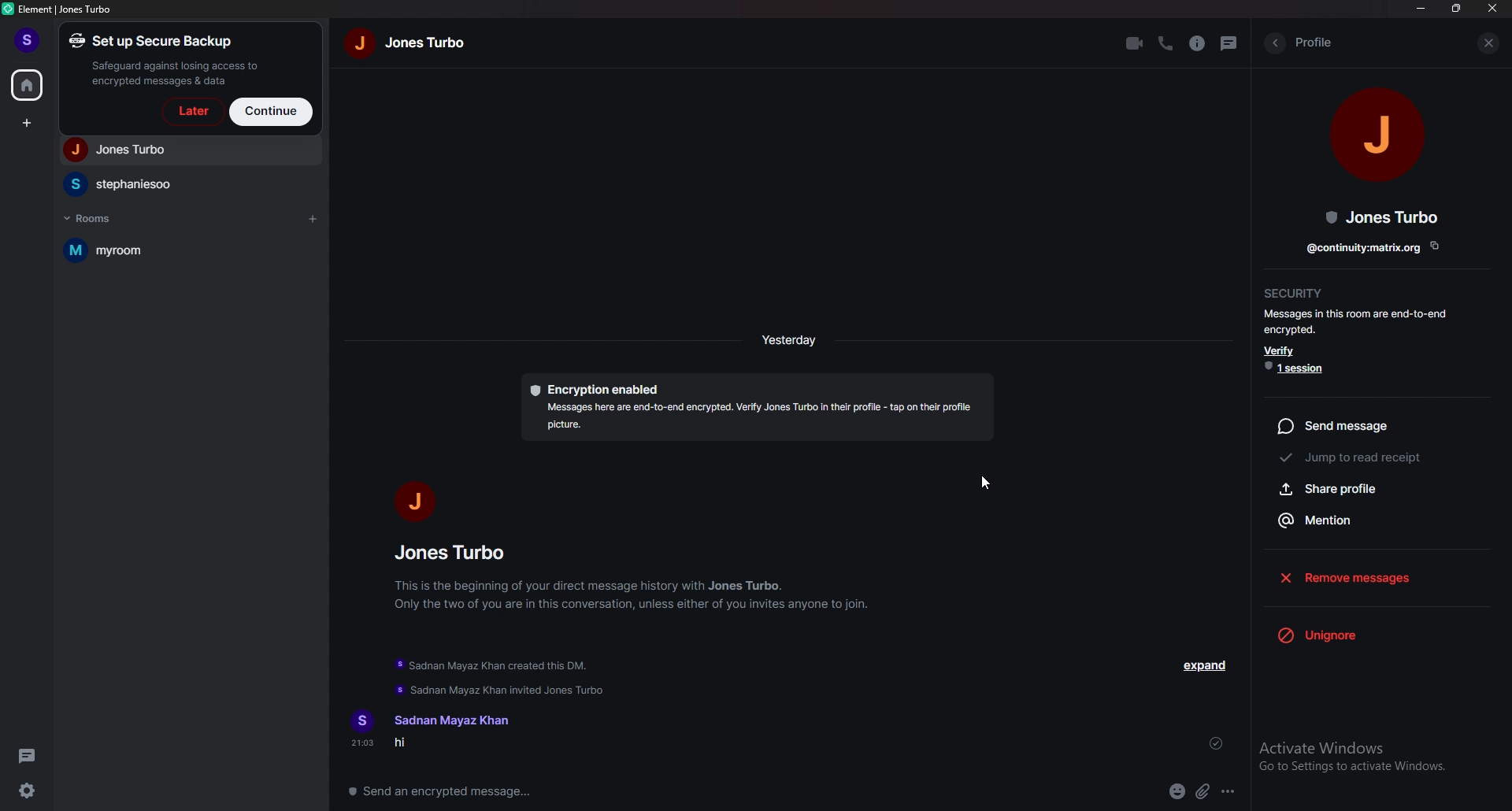 This screenshot has height=811, width=1512. Describe the element at coordinates (1373, 488) in the screenshot. I see `share profile` at that location.